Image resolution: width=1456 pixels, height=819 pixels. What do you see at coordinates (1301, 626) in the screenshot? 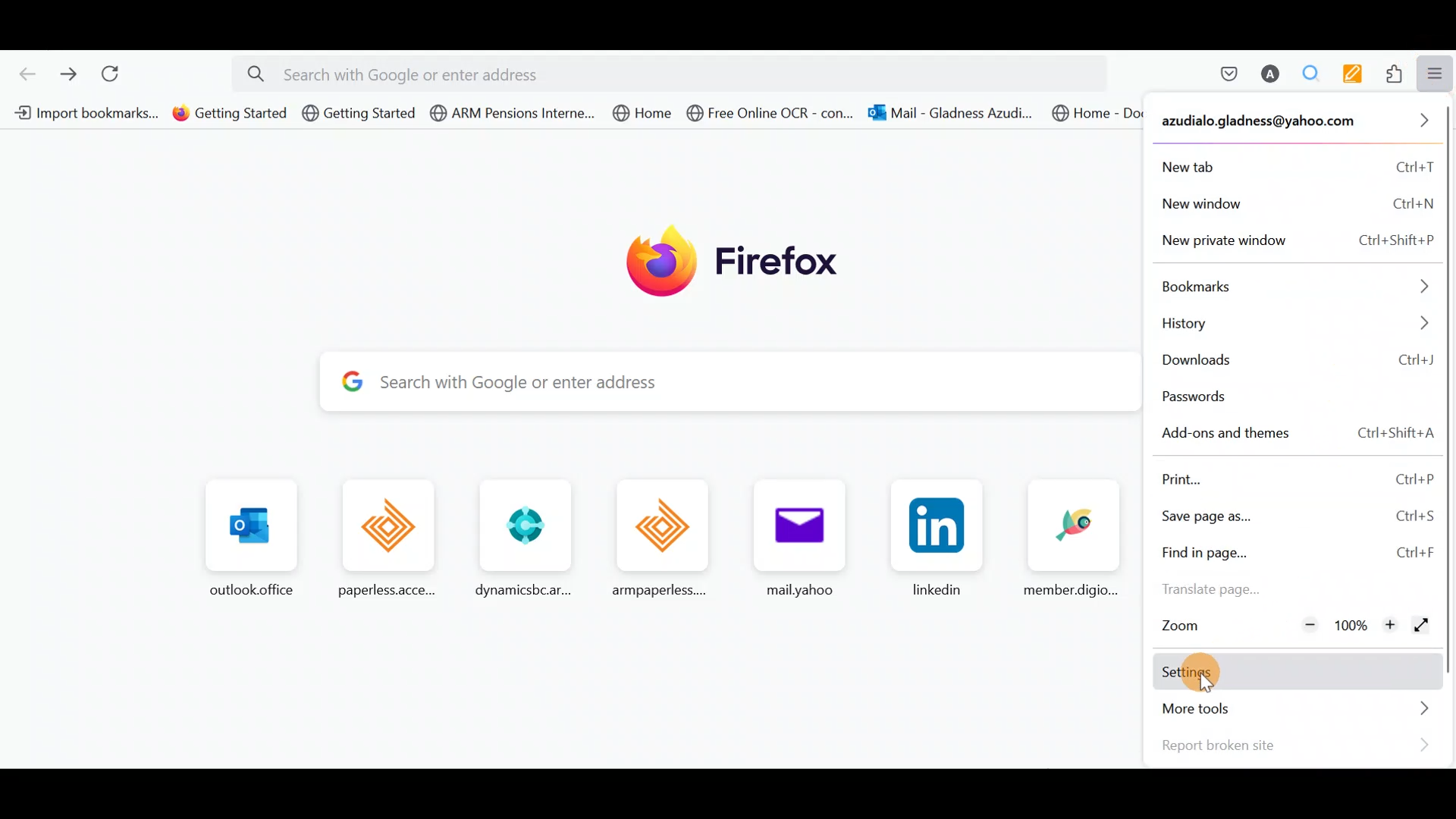
I see `Zoom out` at bounding box center [1301, 626].